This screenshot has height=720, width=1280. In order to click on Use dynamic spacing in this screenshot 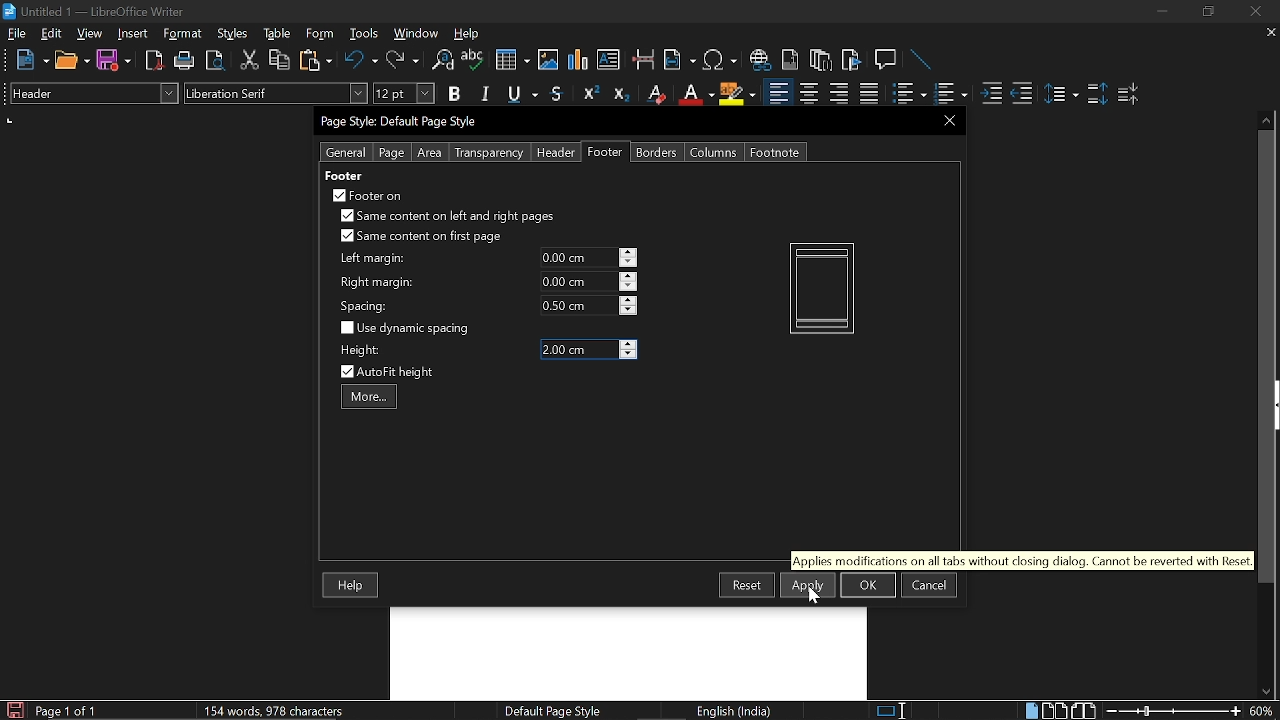, I will do `click(408, 328)`.